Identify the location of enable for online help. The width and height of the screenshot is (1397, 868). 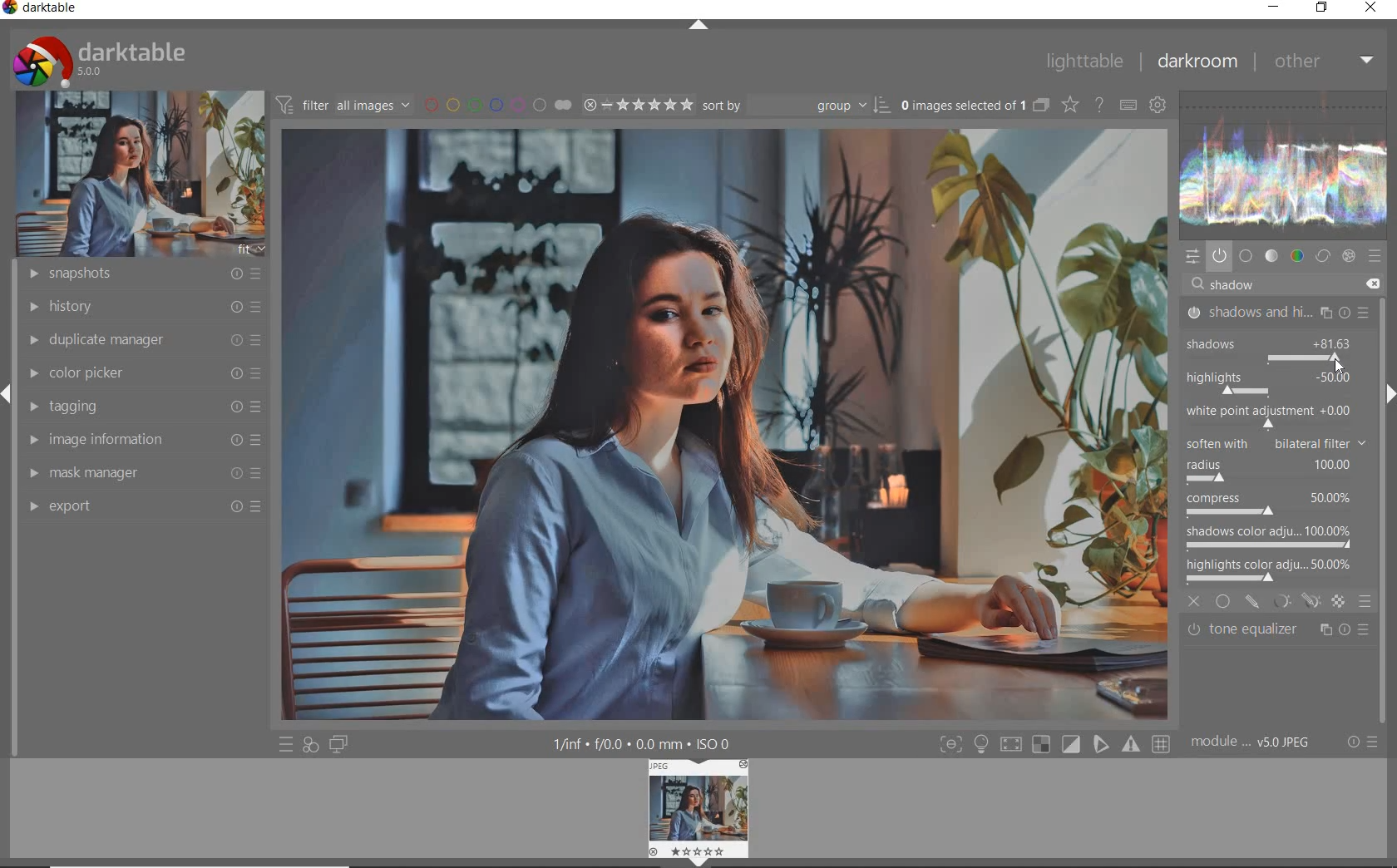
(1099, 106).